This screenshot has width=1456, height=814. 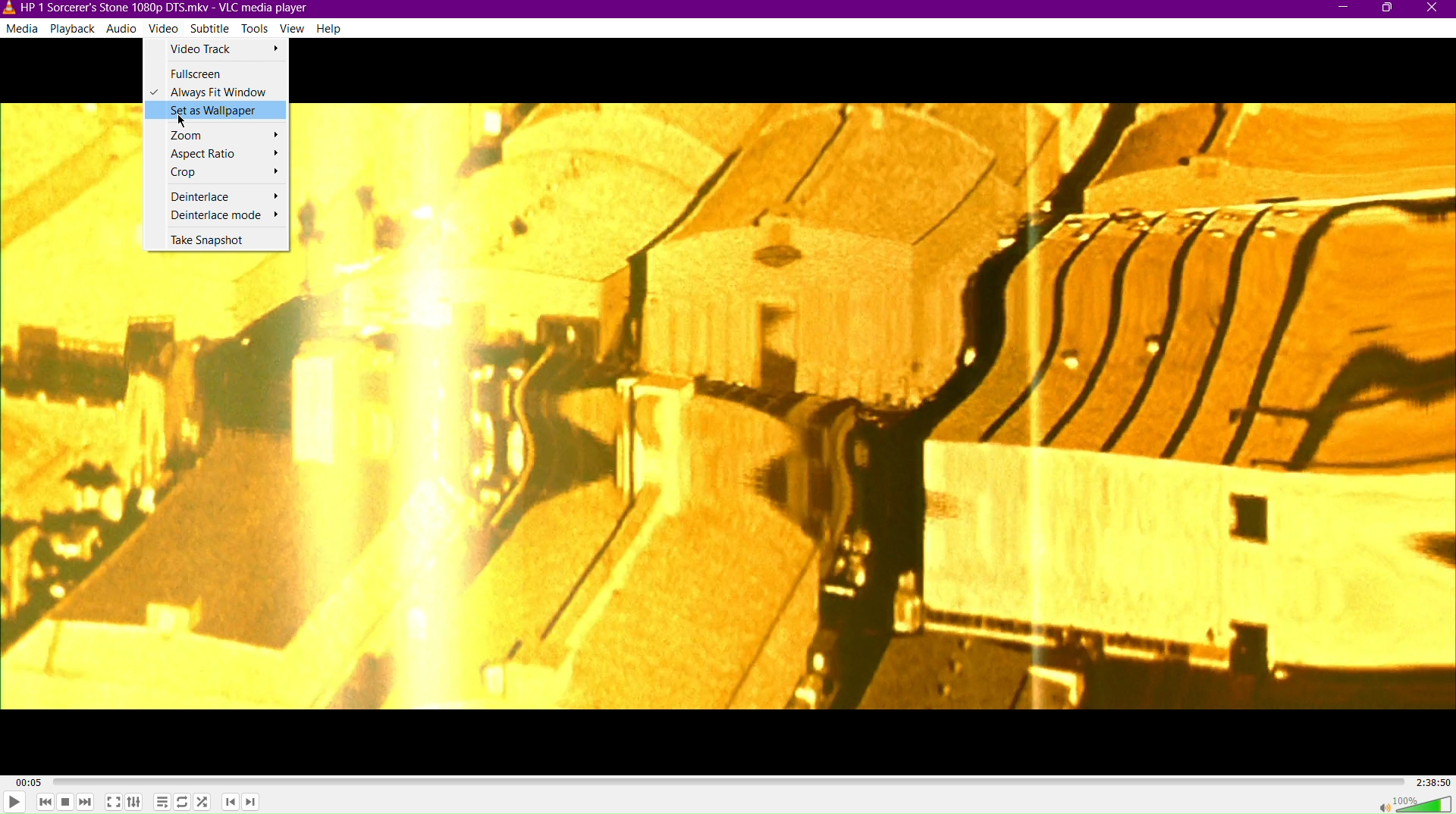 What do you see at coordinates (76, 30) in the screenshot?
I see `Playback` at bounding box center [76, 30].